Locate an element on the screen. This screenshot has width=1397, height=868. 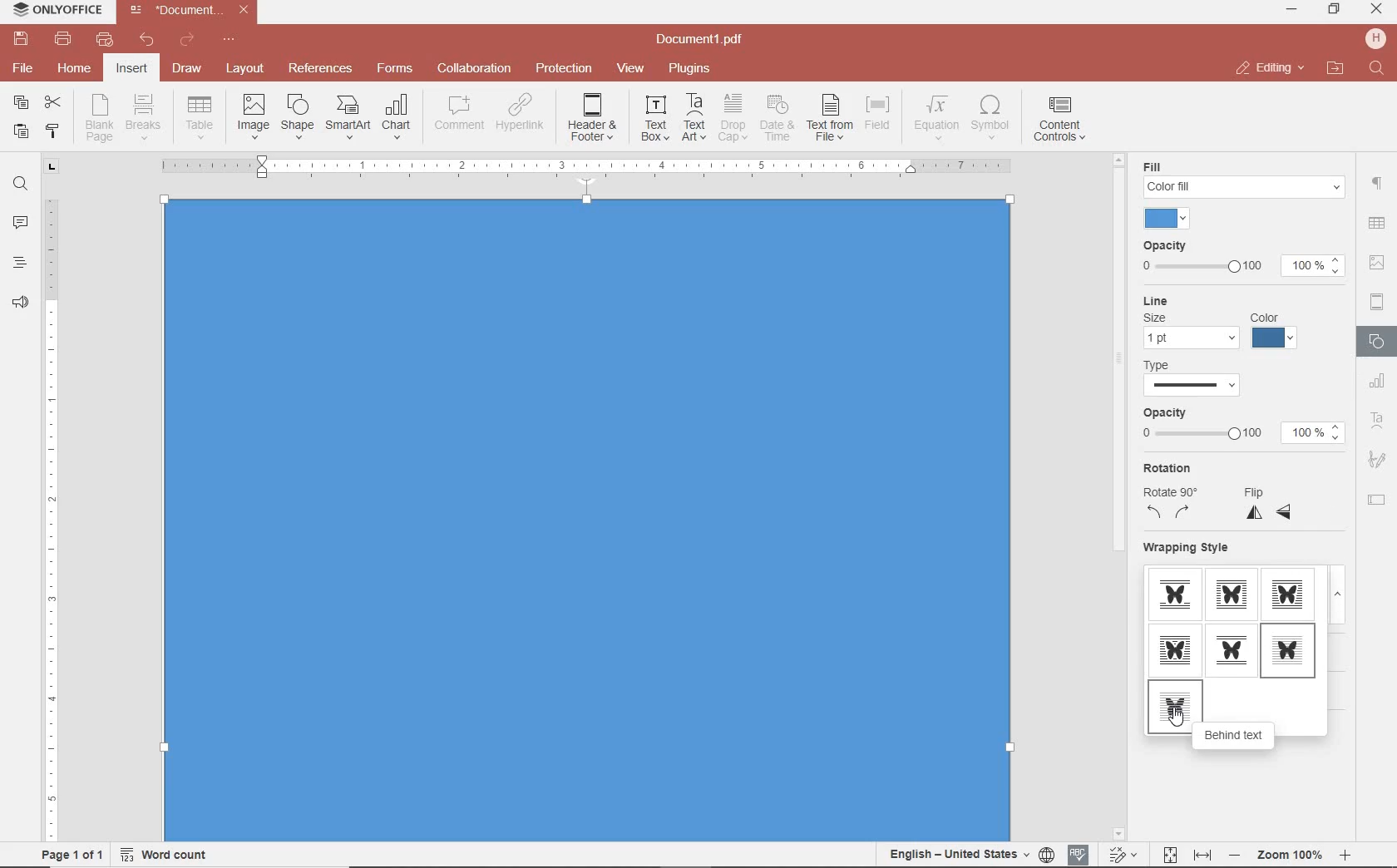
copy style is located at coordinates (51, 130).